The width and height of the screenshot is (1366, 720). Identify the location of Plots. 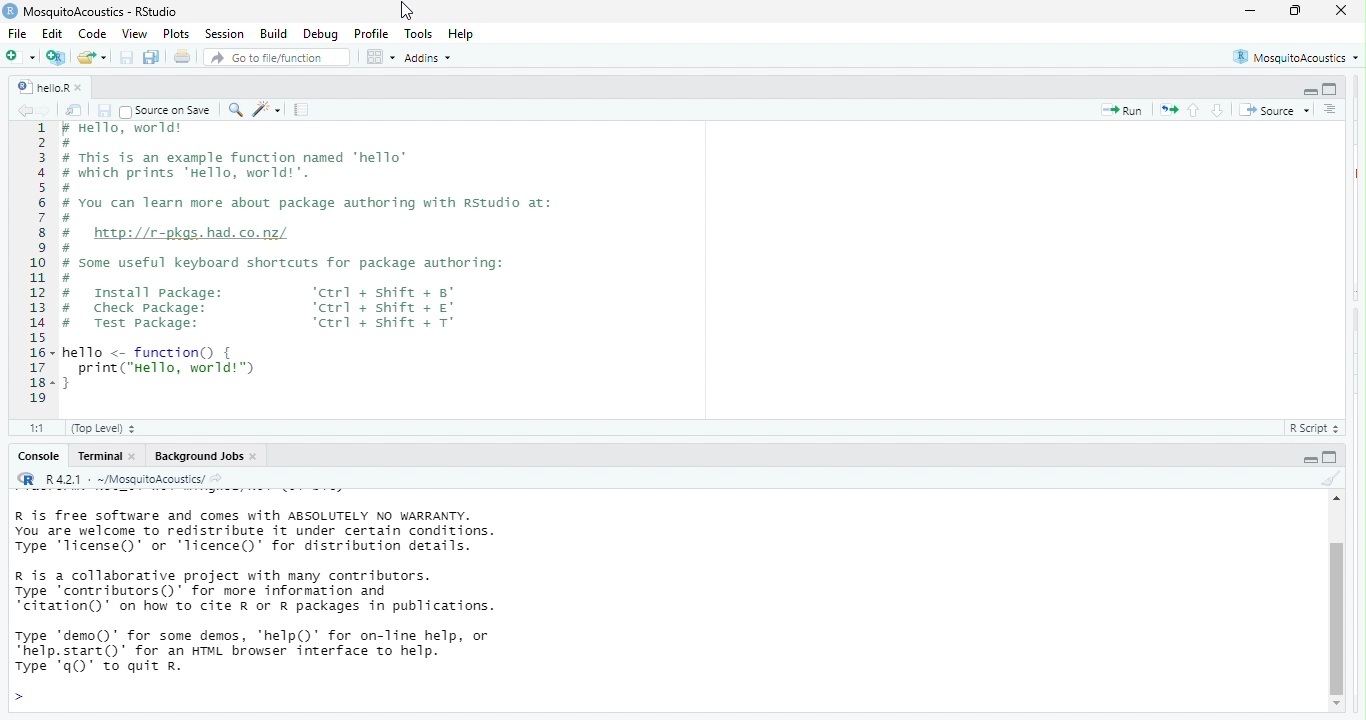
(176, 33).